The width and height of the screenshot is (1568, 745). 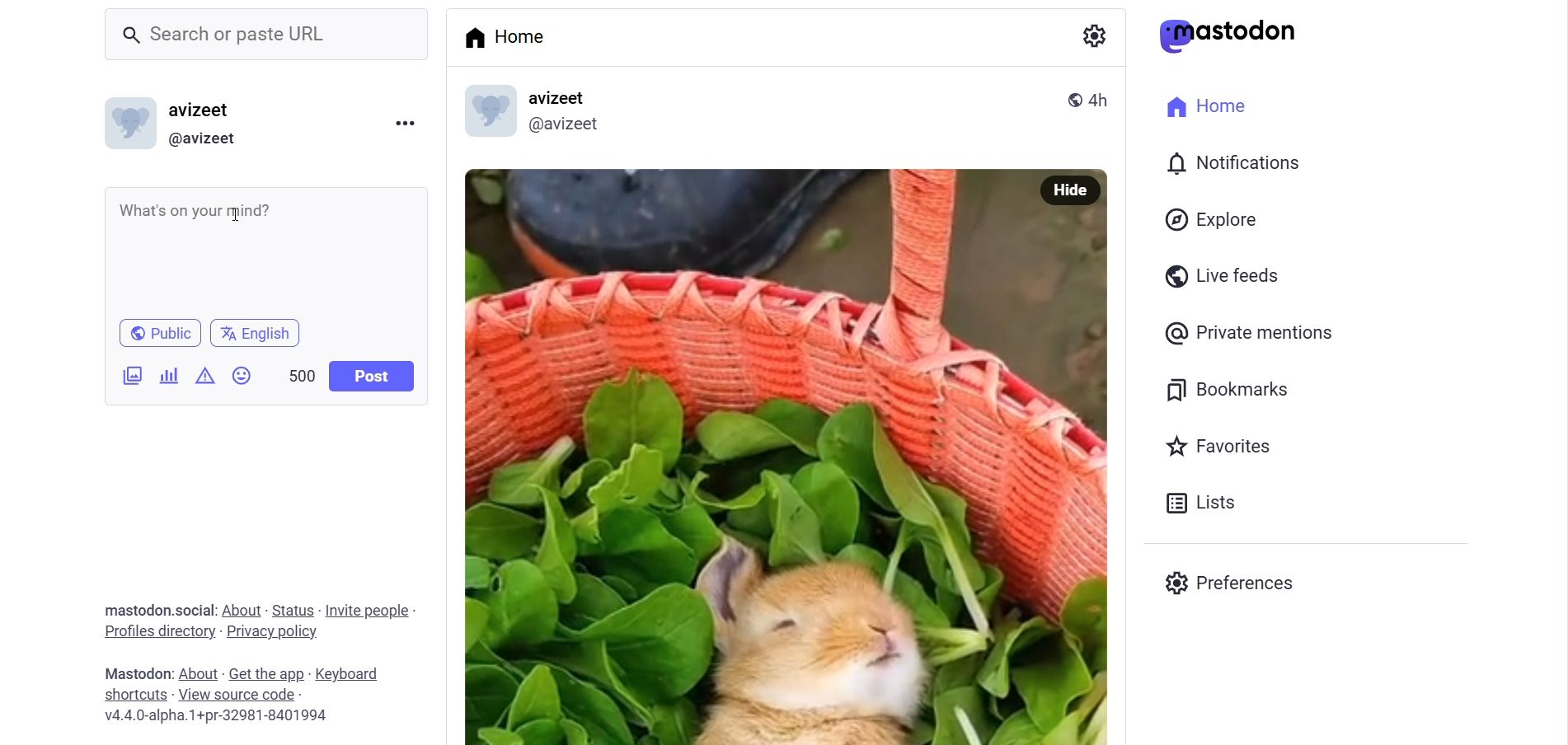 What do you see at coordinates (265, 36) in the screenshot?
I see `Search or paste URL` at bounding box center [265, 36].